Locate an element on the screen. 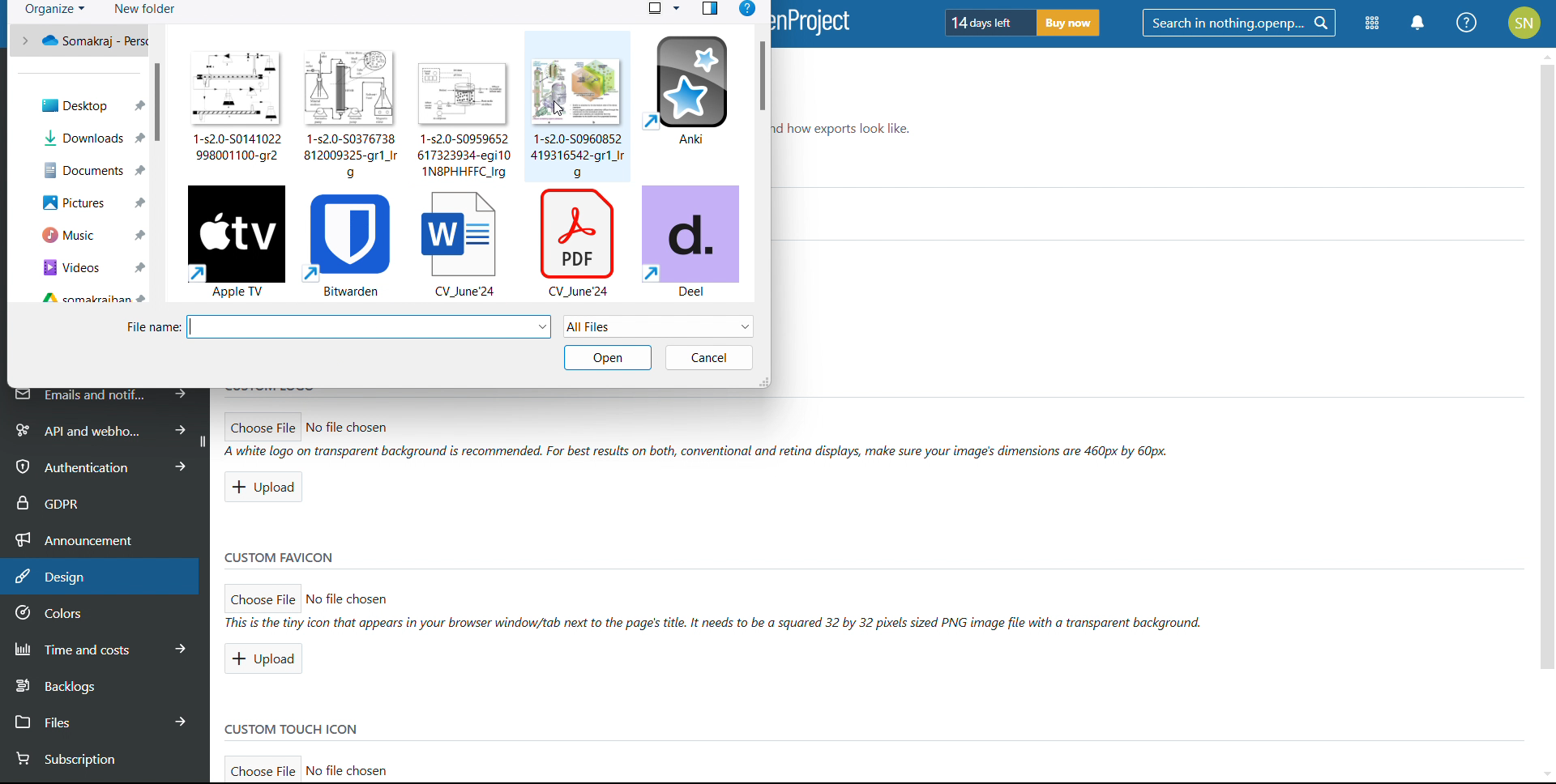 This screenshot has width=1556, height=784. api and webhooks is located at coordinates (96, 428).